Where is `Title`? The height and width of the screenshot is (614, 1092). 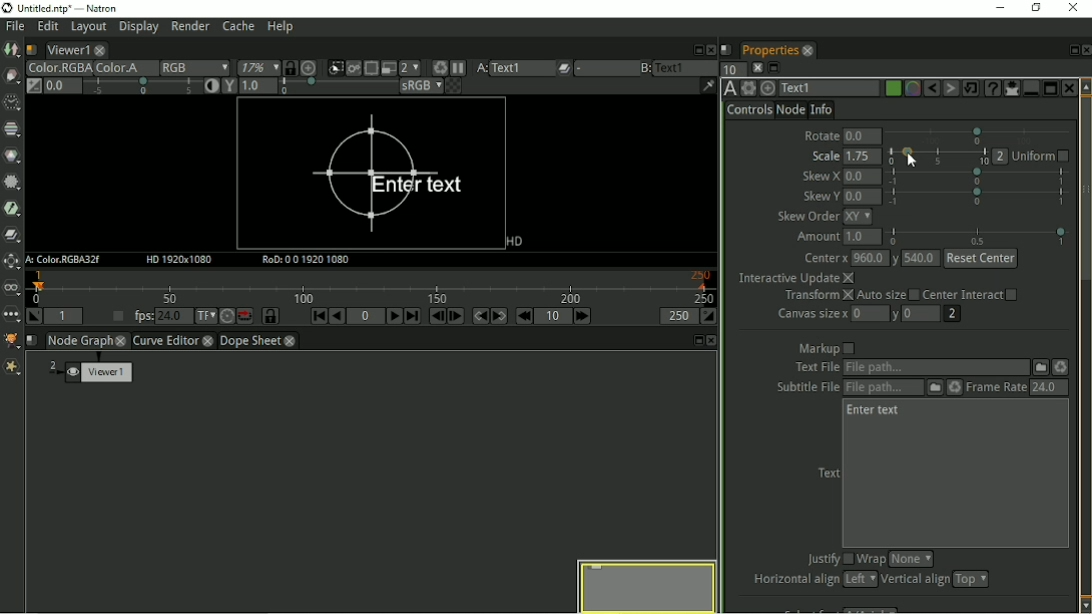 Title is located at coordinates (61, 8).